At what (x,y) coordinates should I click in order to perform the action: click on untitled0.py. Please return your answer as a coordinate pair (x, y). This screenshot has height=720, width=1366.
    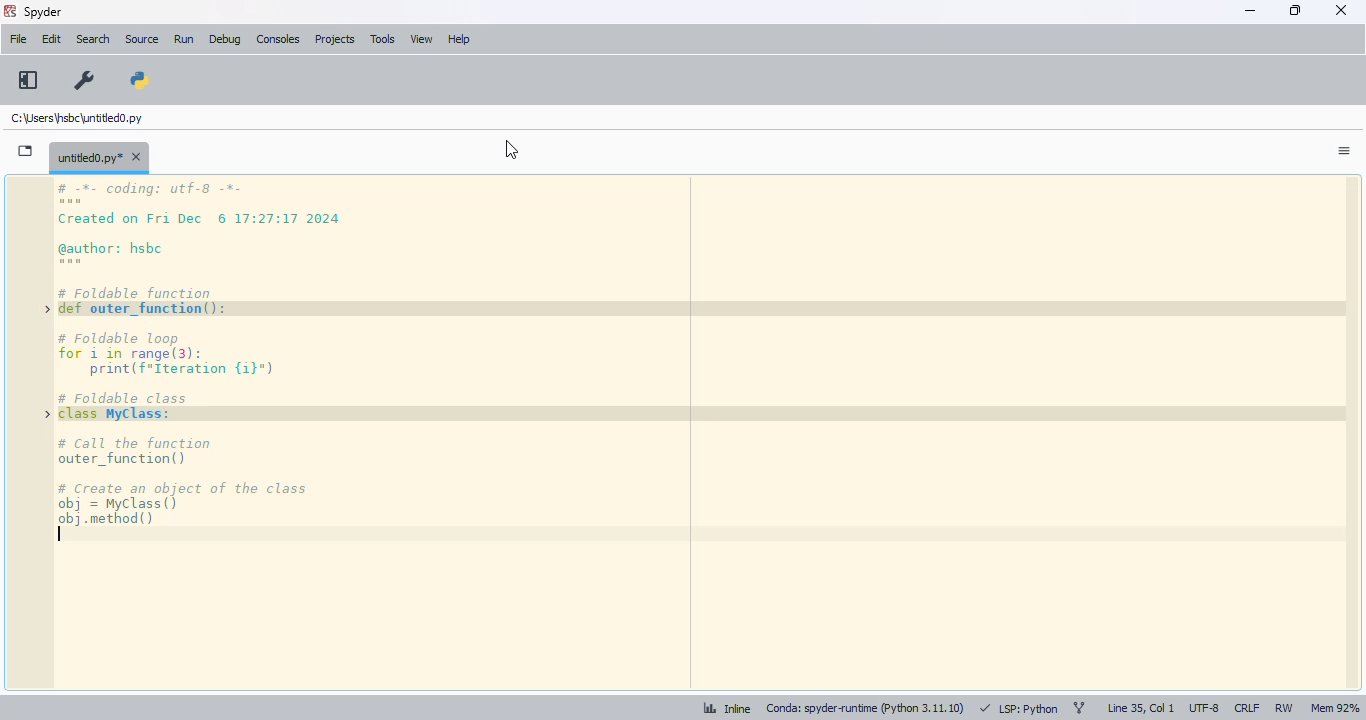
    Looking at the image, I should click on (99, 156).